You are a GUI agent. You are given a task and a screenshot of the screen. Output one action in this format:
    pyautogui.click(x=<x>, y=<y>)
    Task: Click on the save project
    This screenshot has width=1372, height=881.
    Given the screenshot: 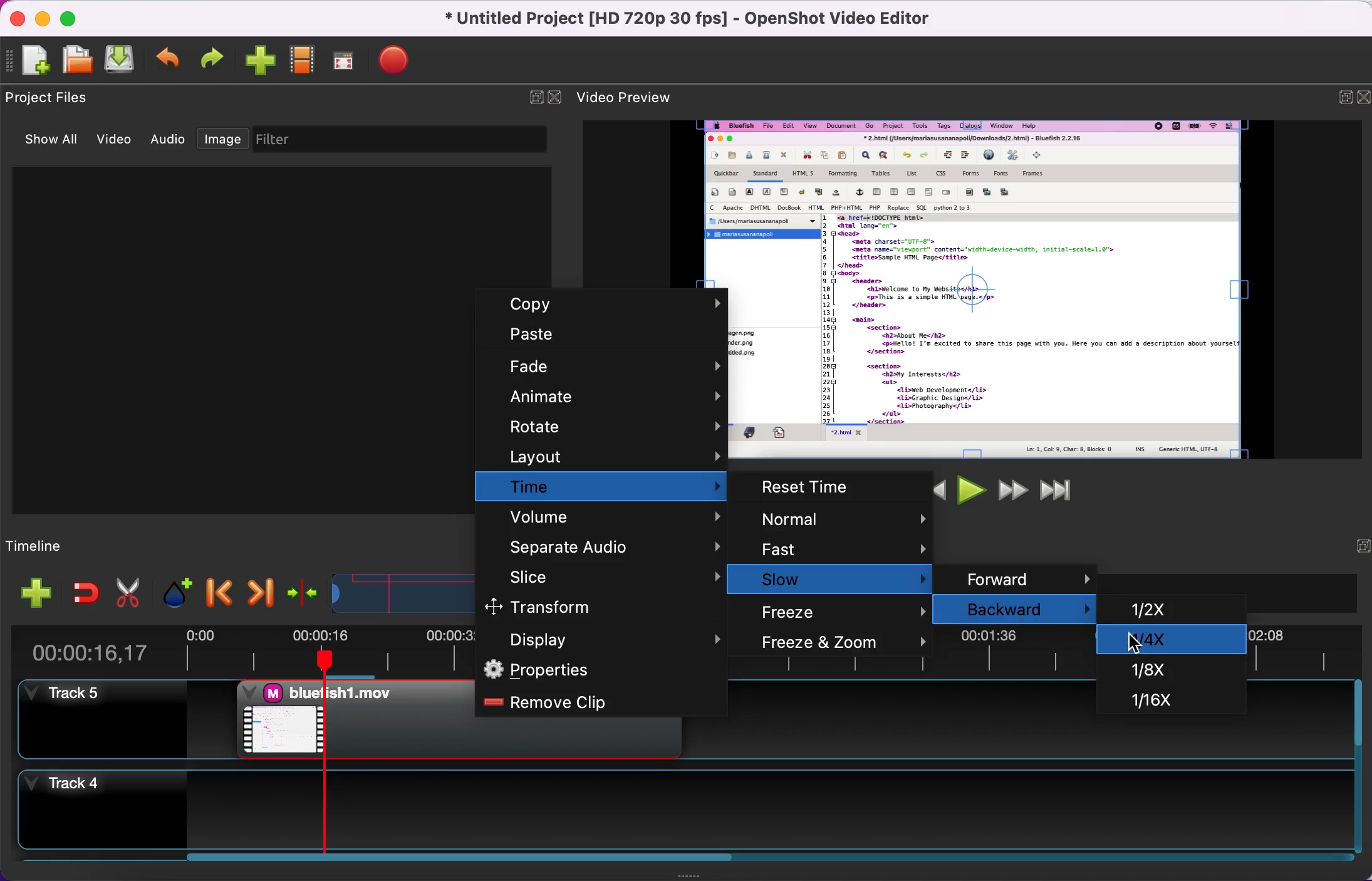 What is the action you would take?
    pyautogui.click(x=123, y=59)
    